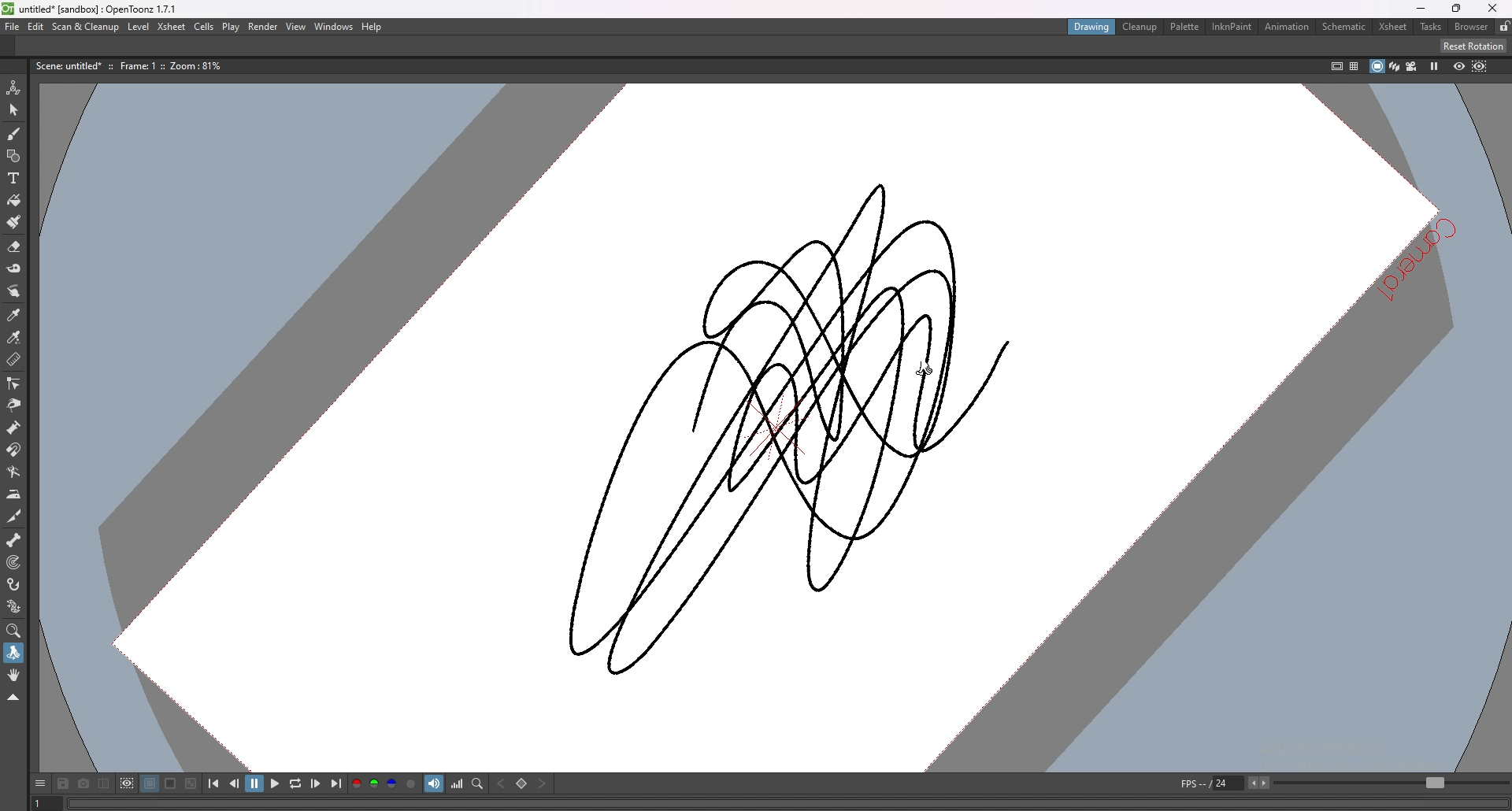  Describe the element at coordinates (13, 631) in the screenshot. I see `zoom` at that location.